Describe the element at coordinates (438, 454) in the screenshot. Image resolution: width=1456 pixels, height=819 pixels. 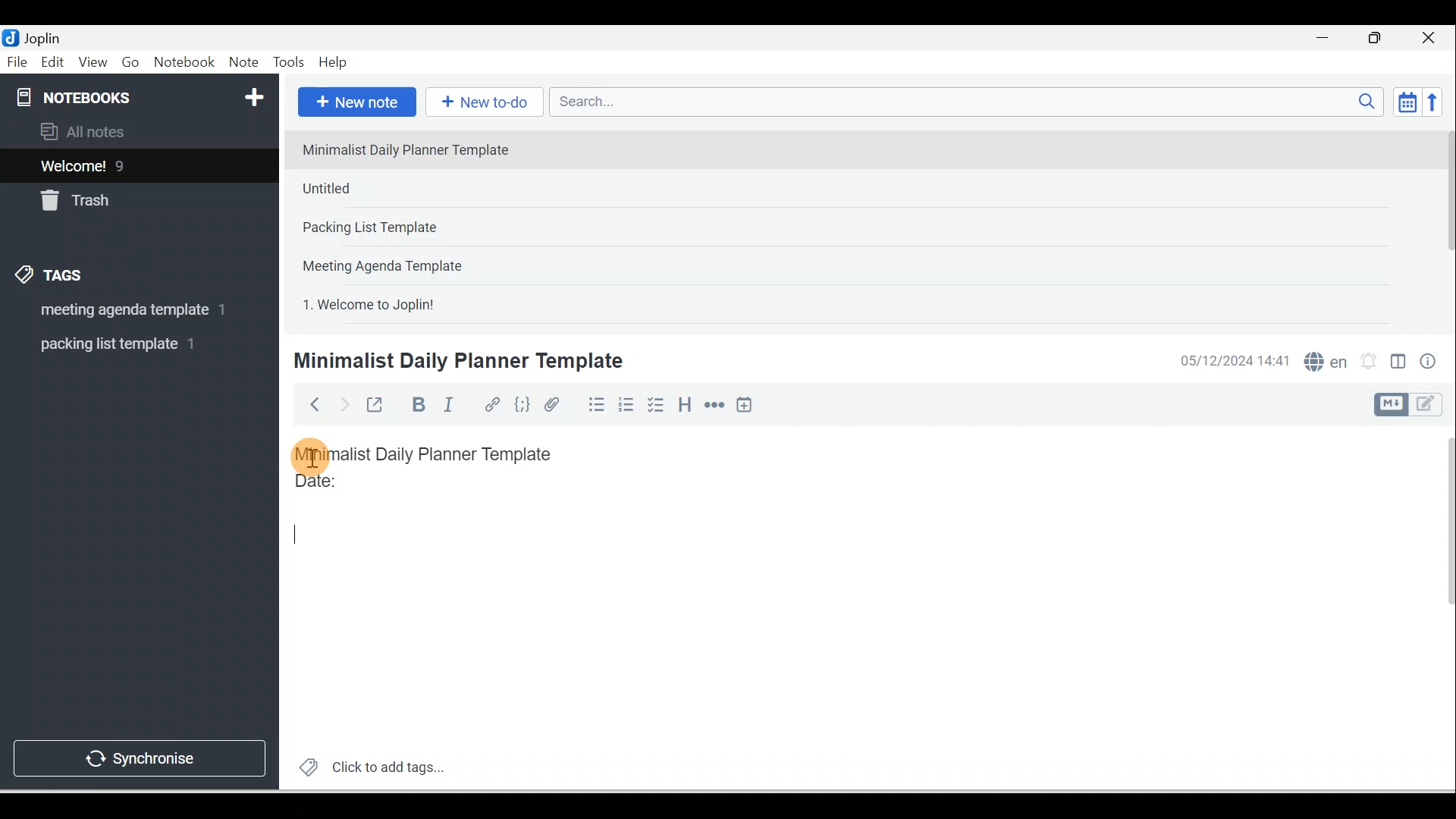
I see `Minimalist Daily Planner Template` at that location.